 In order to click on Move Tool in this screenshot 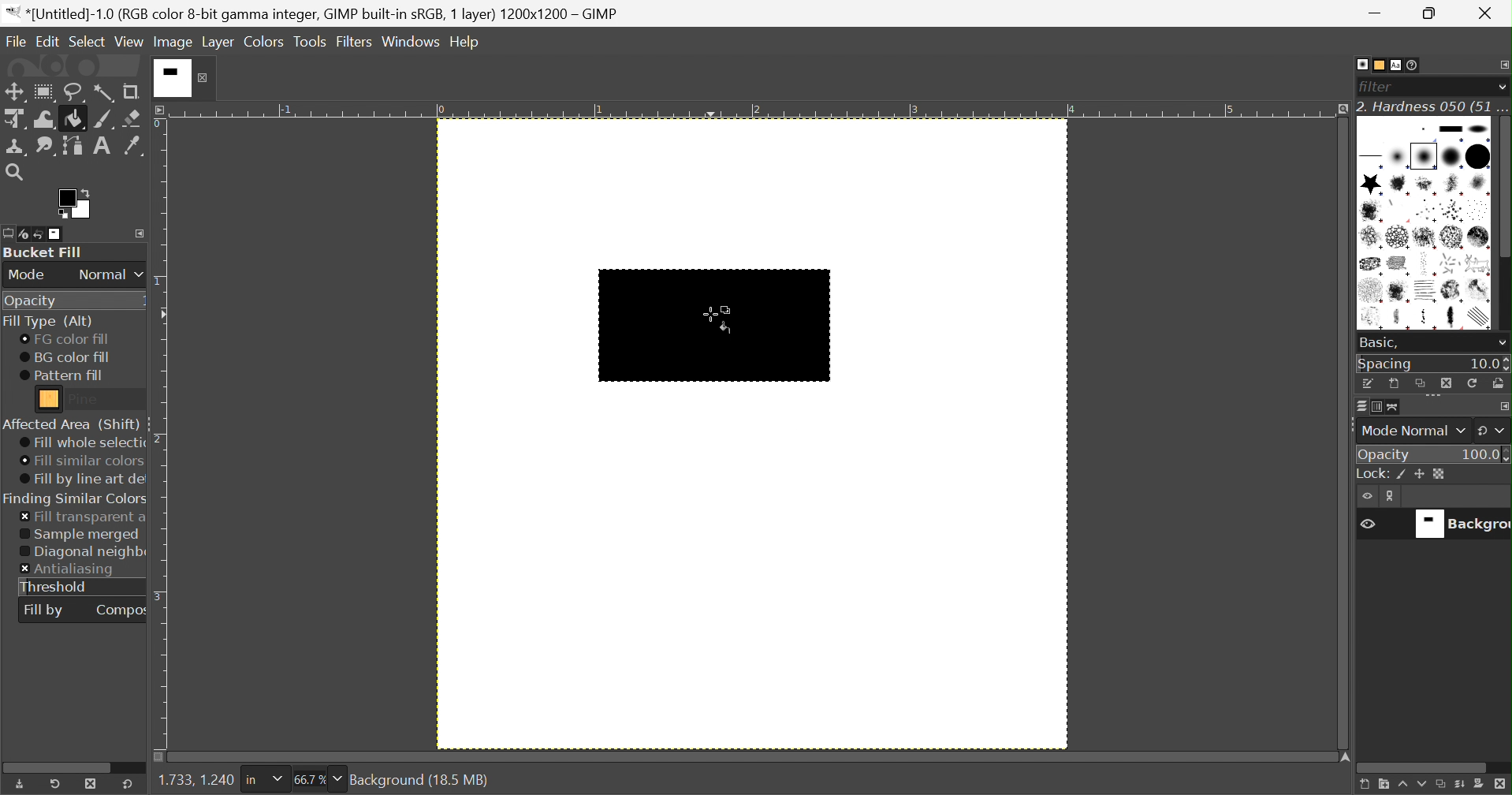, I will do `click(13, 92)`.